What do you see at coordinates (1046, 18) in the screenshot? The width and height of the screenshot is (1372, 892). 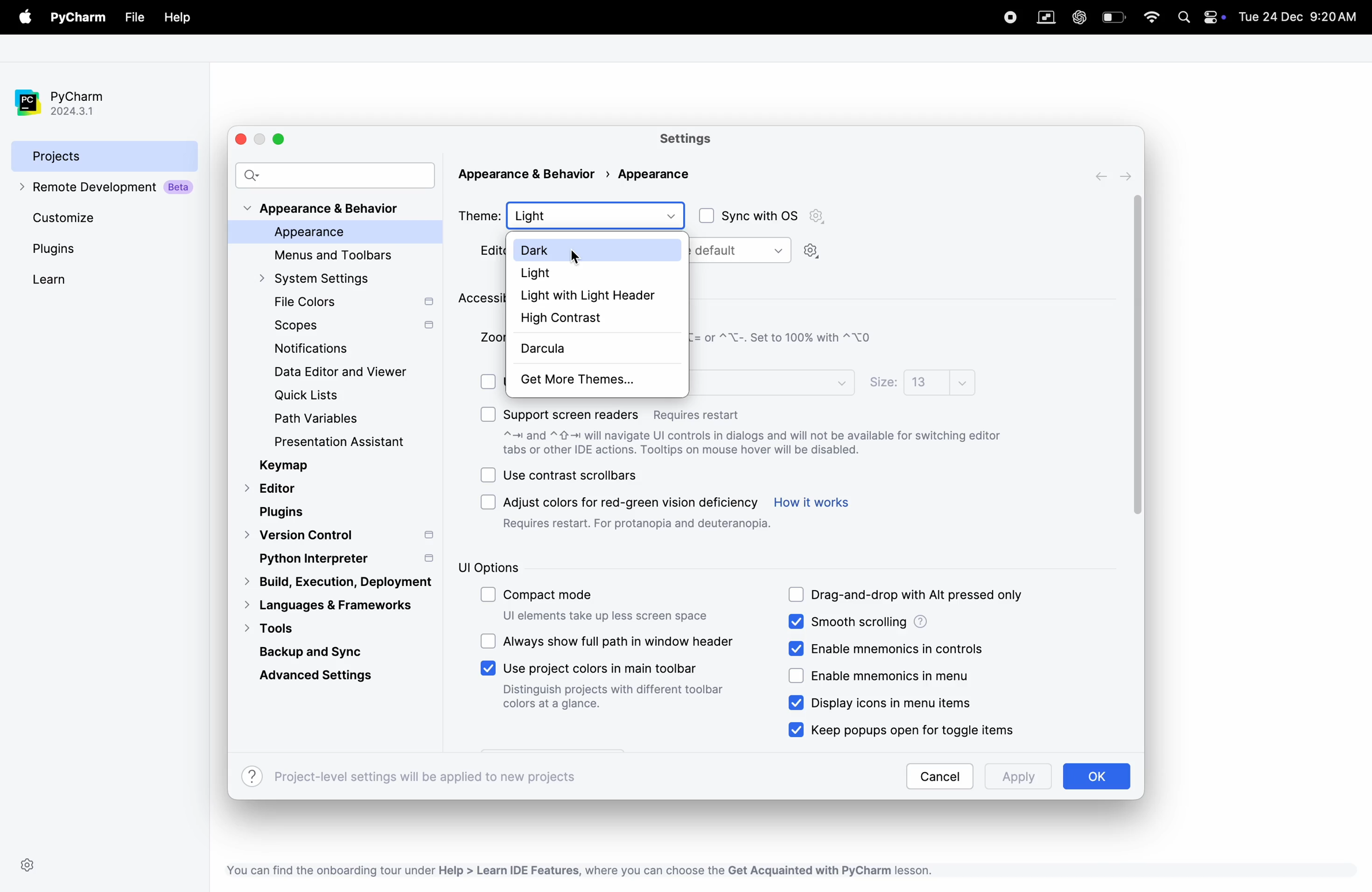 I see `vm` at bounding box center [1046, 18].